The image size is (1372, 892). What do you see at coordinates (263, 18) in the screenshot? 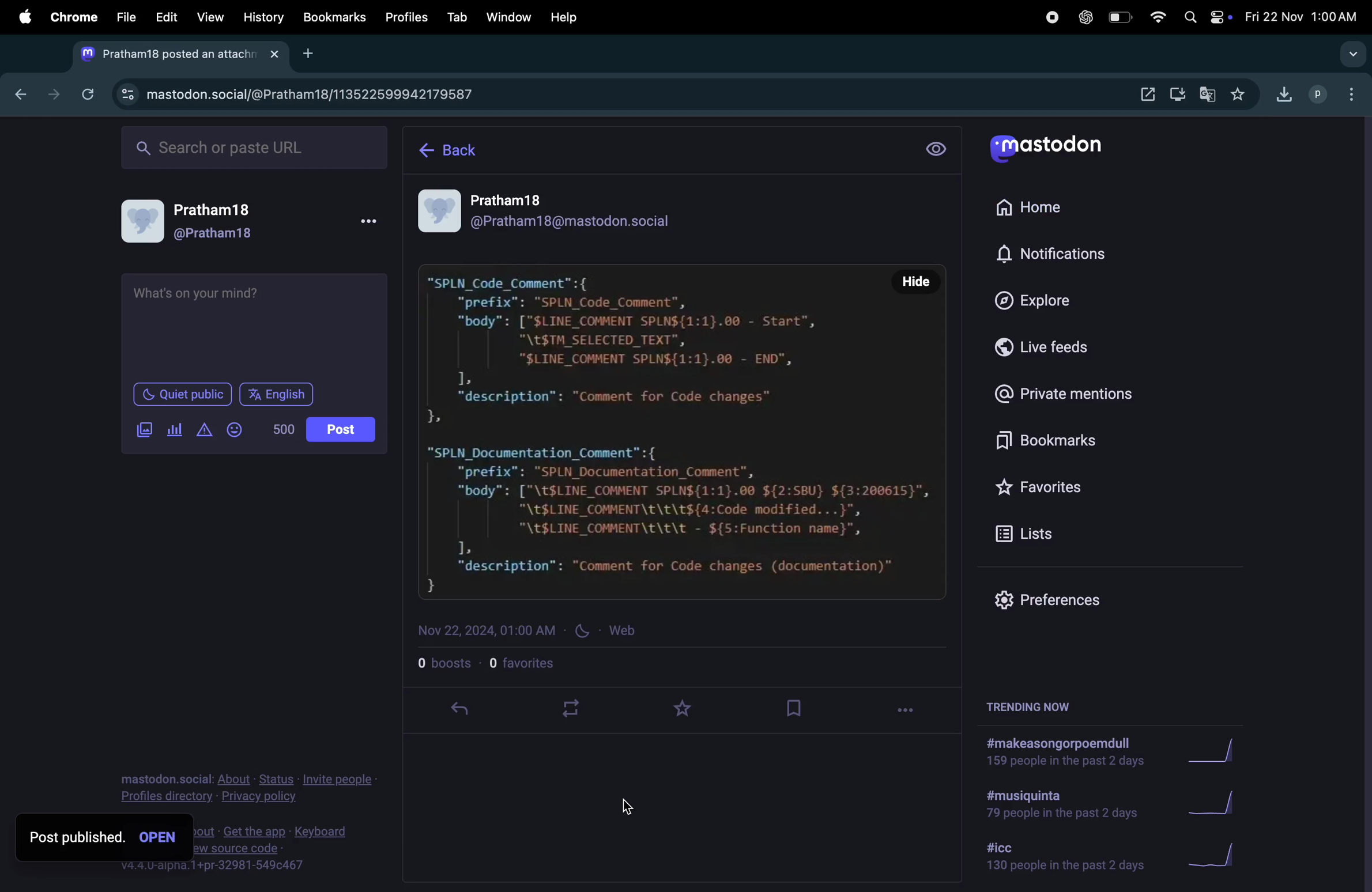
I see `history` at bounding box center [263, 18].